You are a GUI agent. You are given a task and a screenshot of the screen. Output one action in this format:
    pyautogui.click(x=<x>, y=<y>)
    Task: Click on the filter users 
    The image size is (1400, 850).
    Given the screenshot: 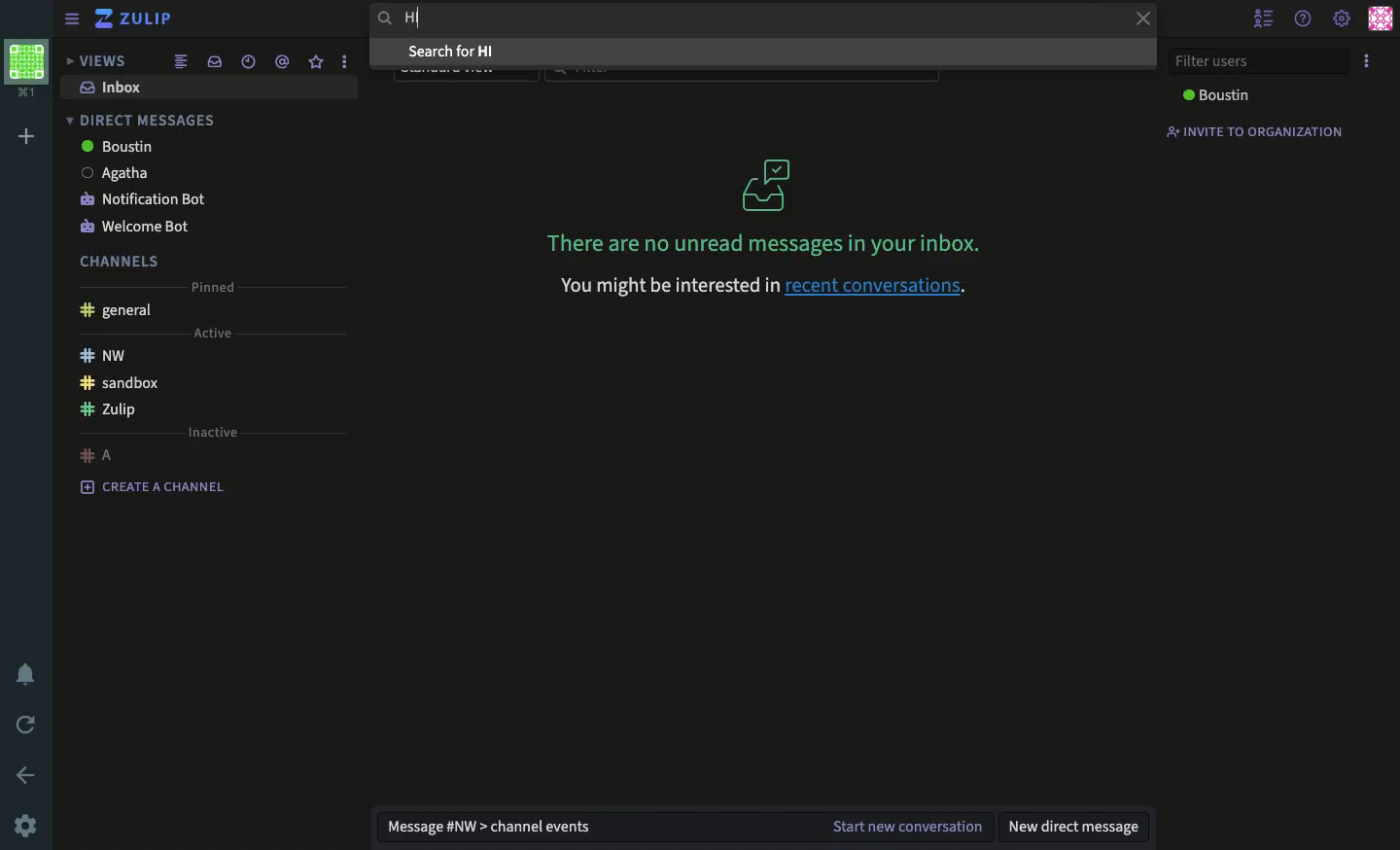 What is the action you would take?
    pyautogui.click(x=1259, y=59)
    